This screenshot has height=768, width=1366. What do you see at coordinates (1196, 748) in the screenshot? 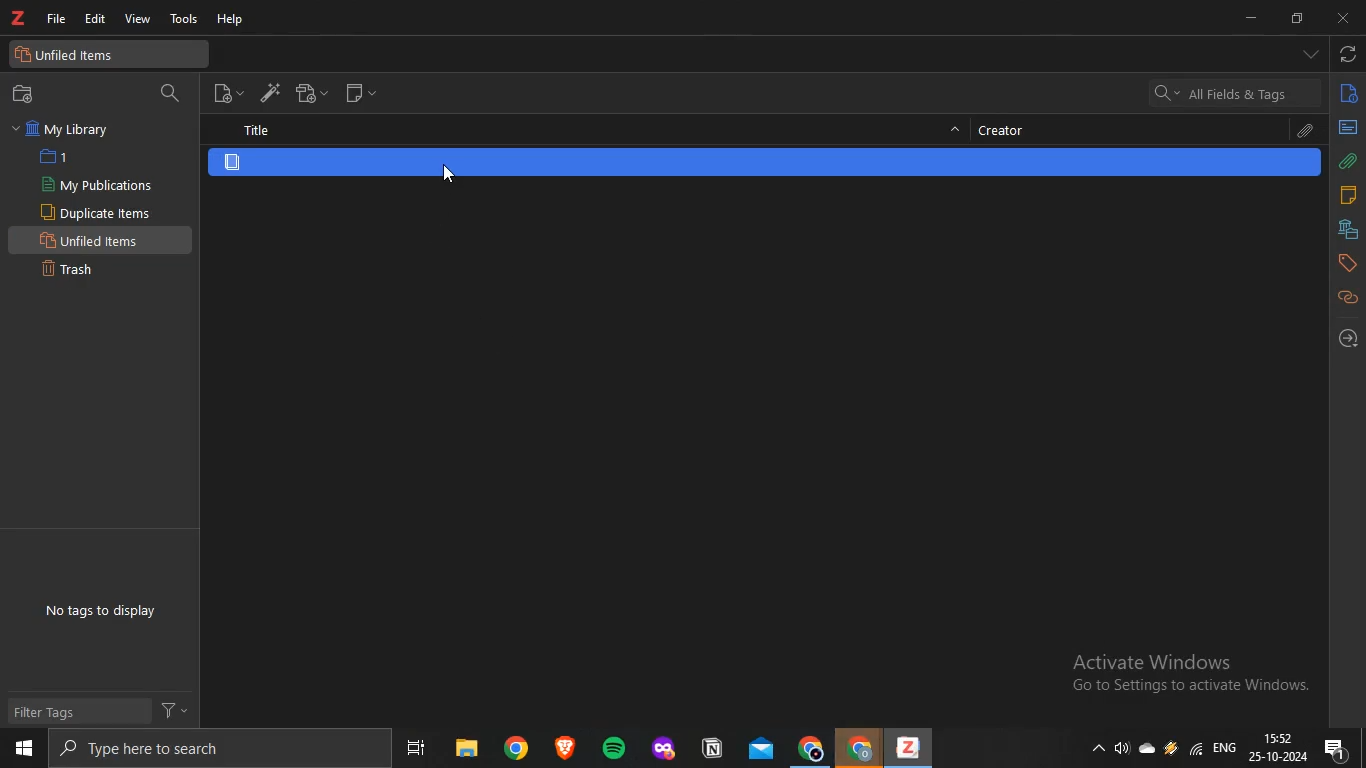
I see `wifi` at bounding box center [1196, 748].